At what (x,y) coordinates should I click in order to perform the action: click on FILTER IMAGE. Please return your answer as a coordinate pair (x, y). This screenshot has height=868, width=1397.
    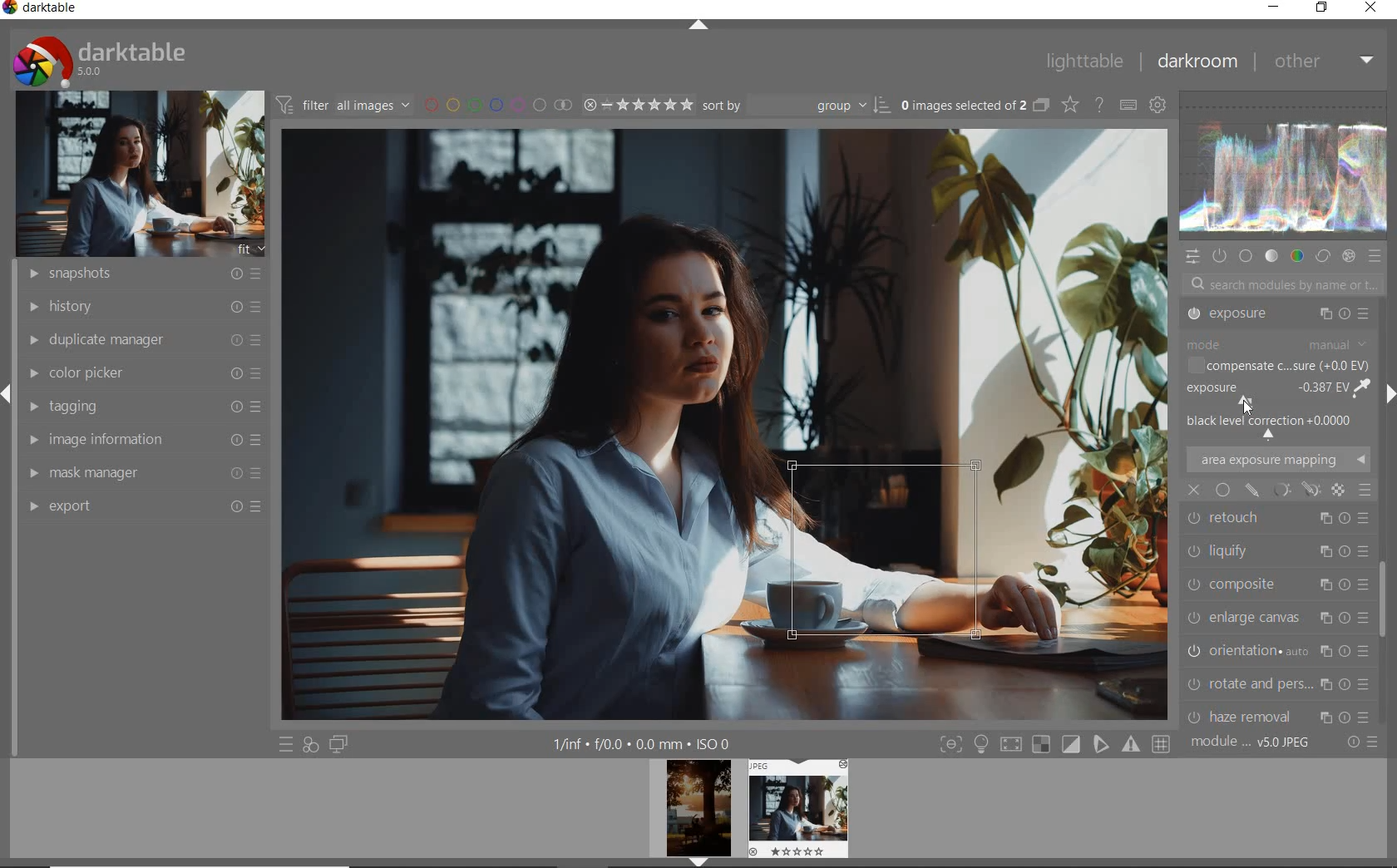
    Looking at the image, I should click on (339, 105).